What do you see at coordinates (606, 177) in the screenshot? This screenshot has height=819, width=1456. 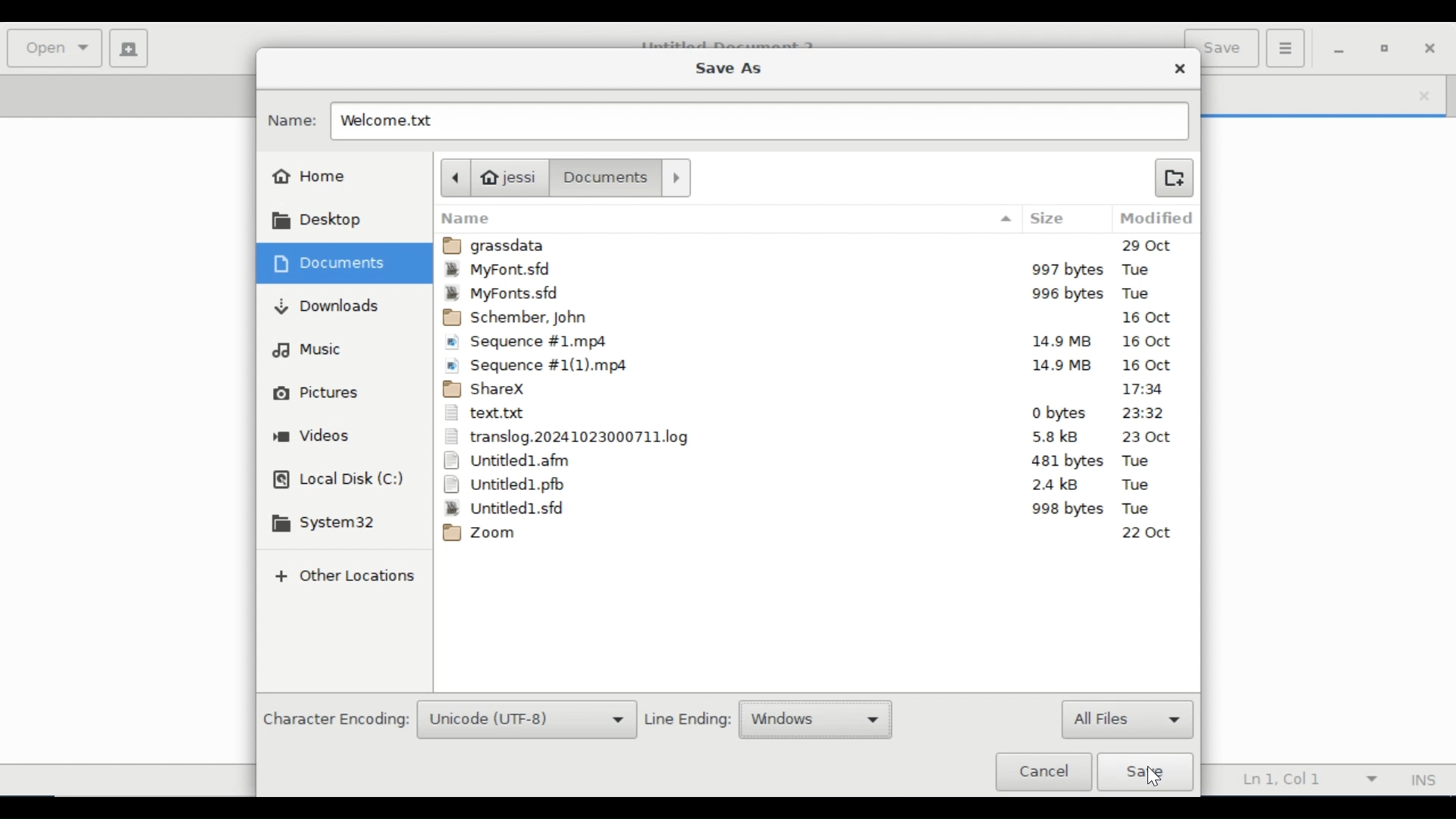 I see `Document` at bounding box center [606, 177].